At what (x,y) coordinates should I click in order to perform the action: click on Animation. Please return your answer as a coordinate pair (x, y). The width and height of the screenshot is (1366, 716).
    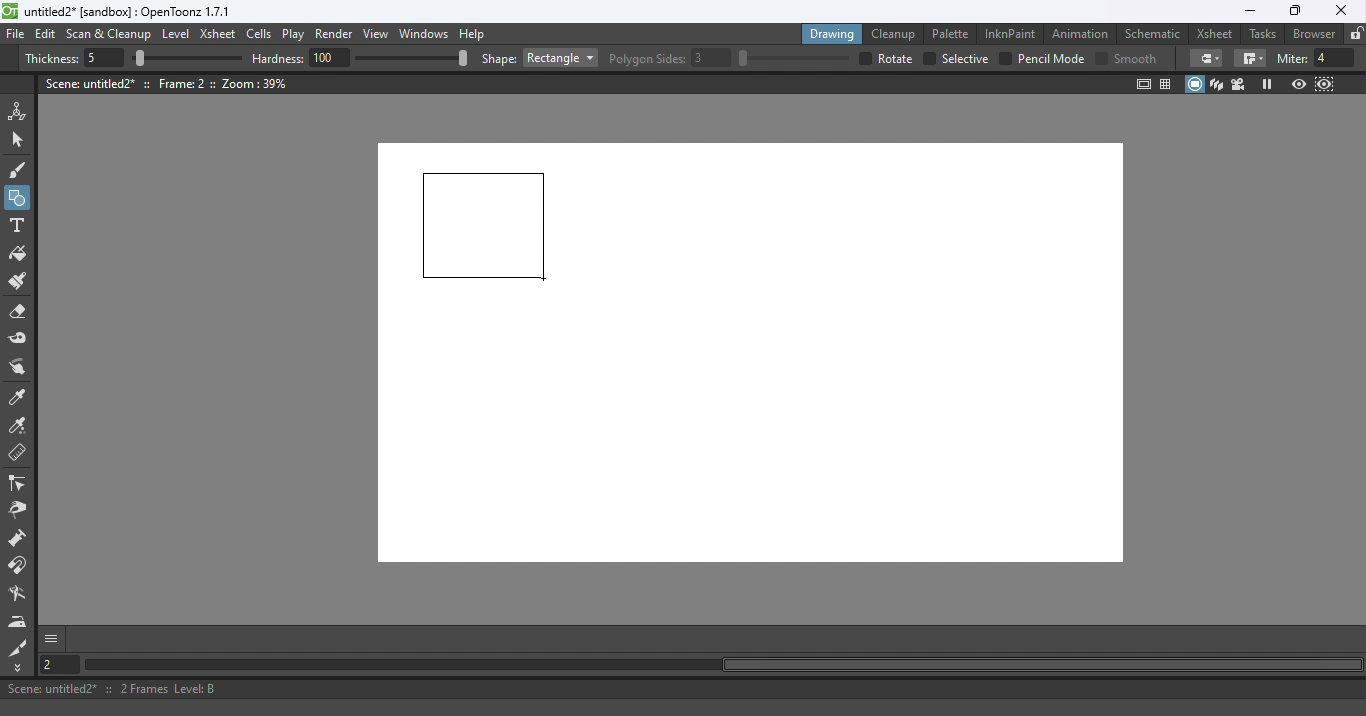
    Looking at the image, I should click on (1083, 32).